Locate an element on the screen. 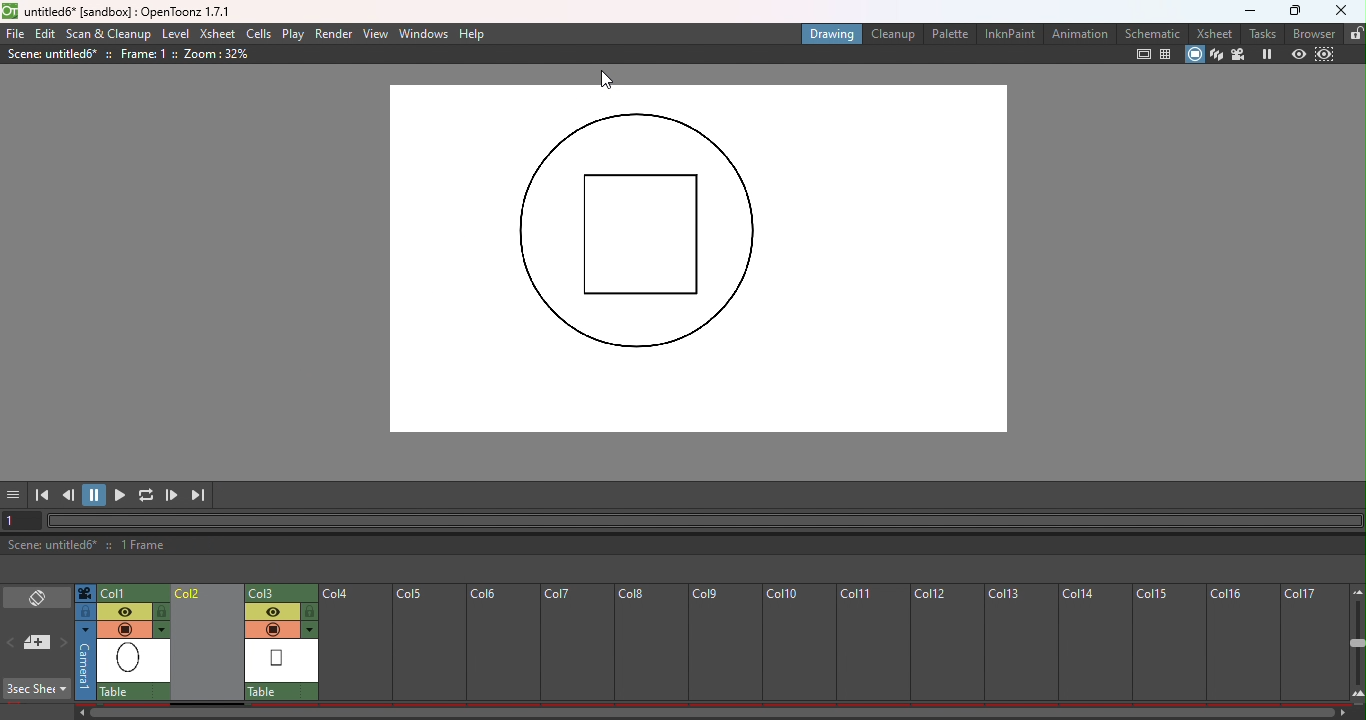 The height and width of the screenshot is (720, 1366). Next frame is located at coordinates (172, 496).